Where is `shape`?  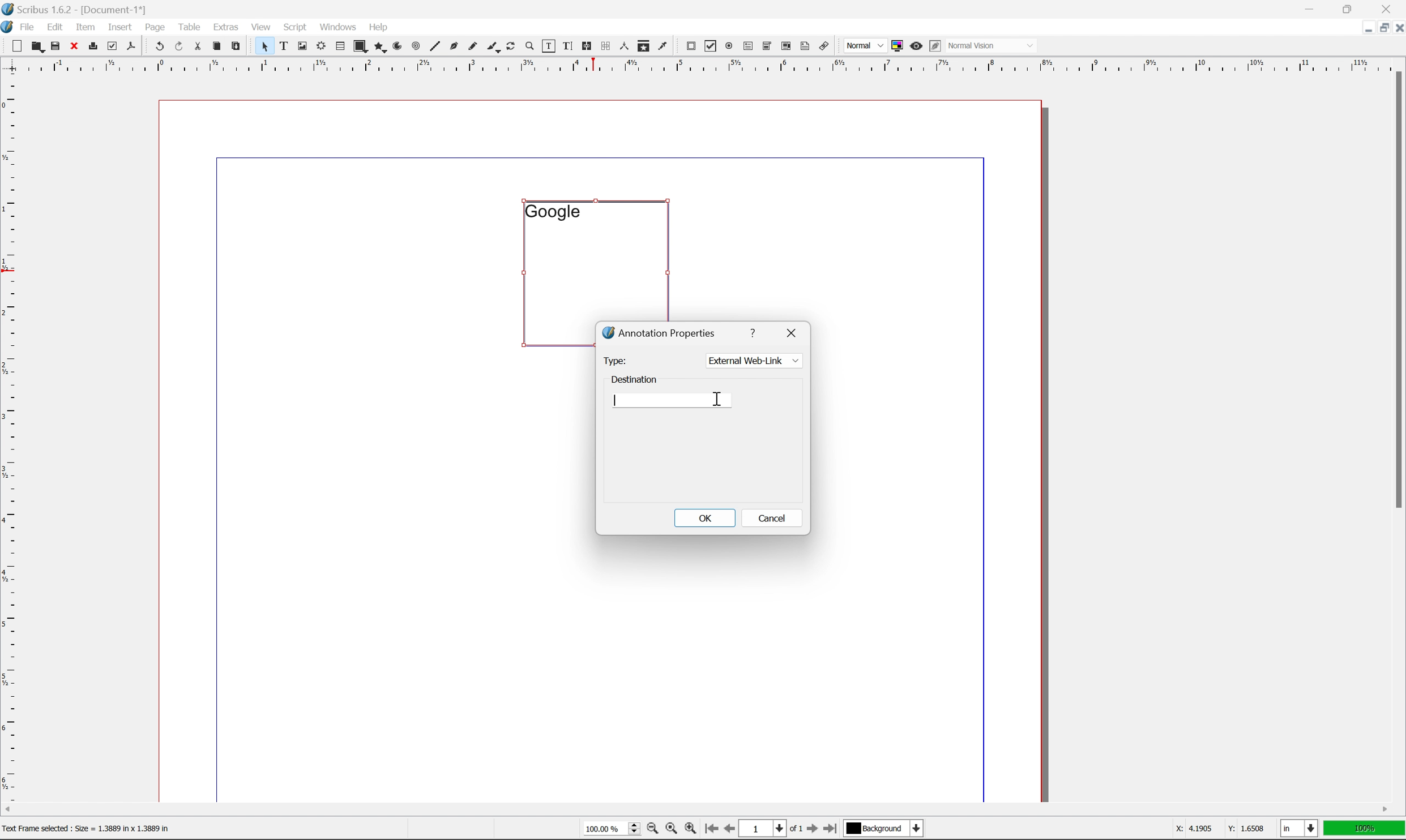
shape is located at coordinates (361, 47).